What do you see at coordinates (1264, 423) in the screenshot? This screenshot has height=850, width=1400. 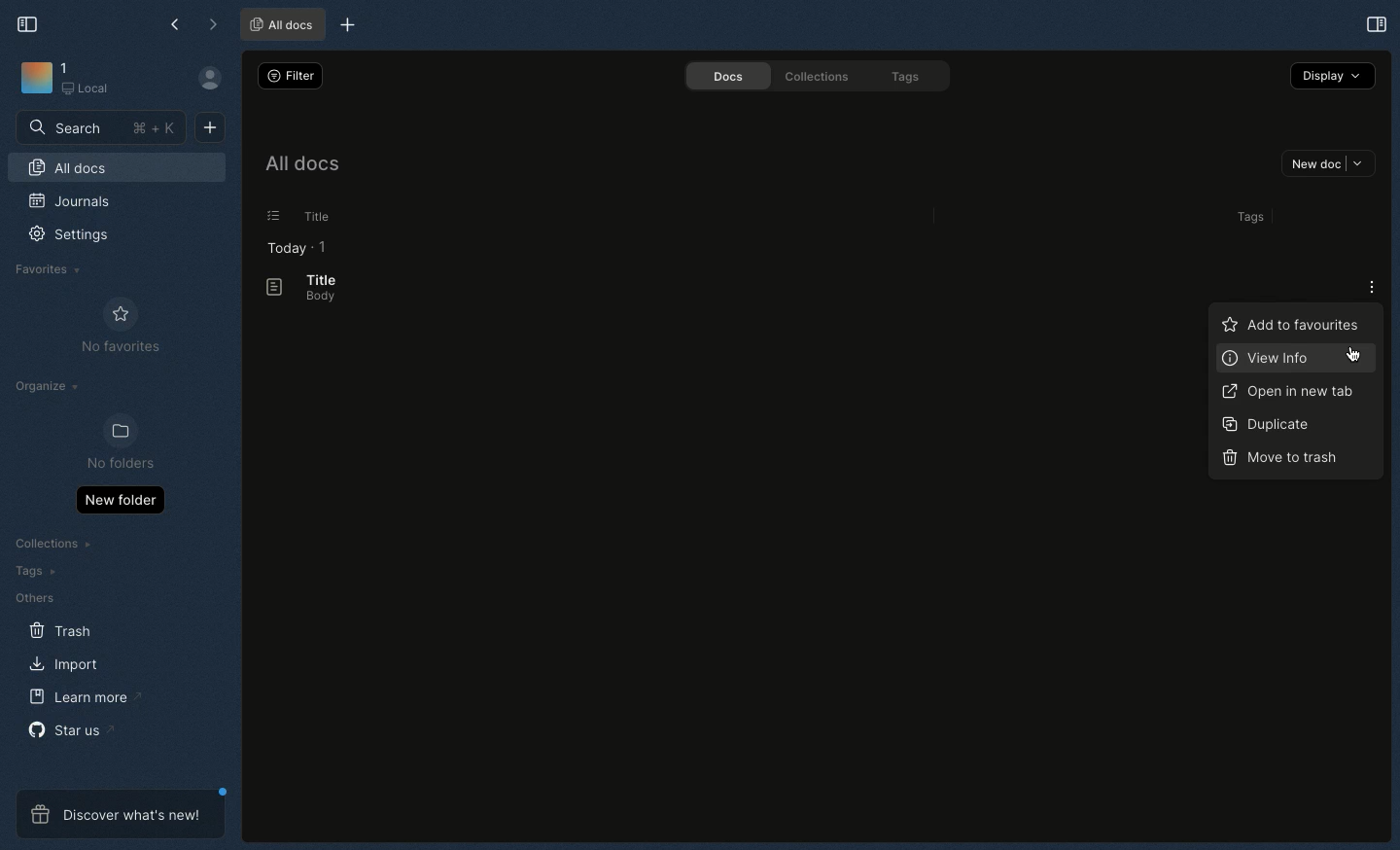 I see `Duplicate` at bounding box center [1264, 423].